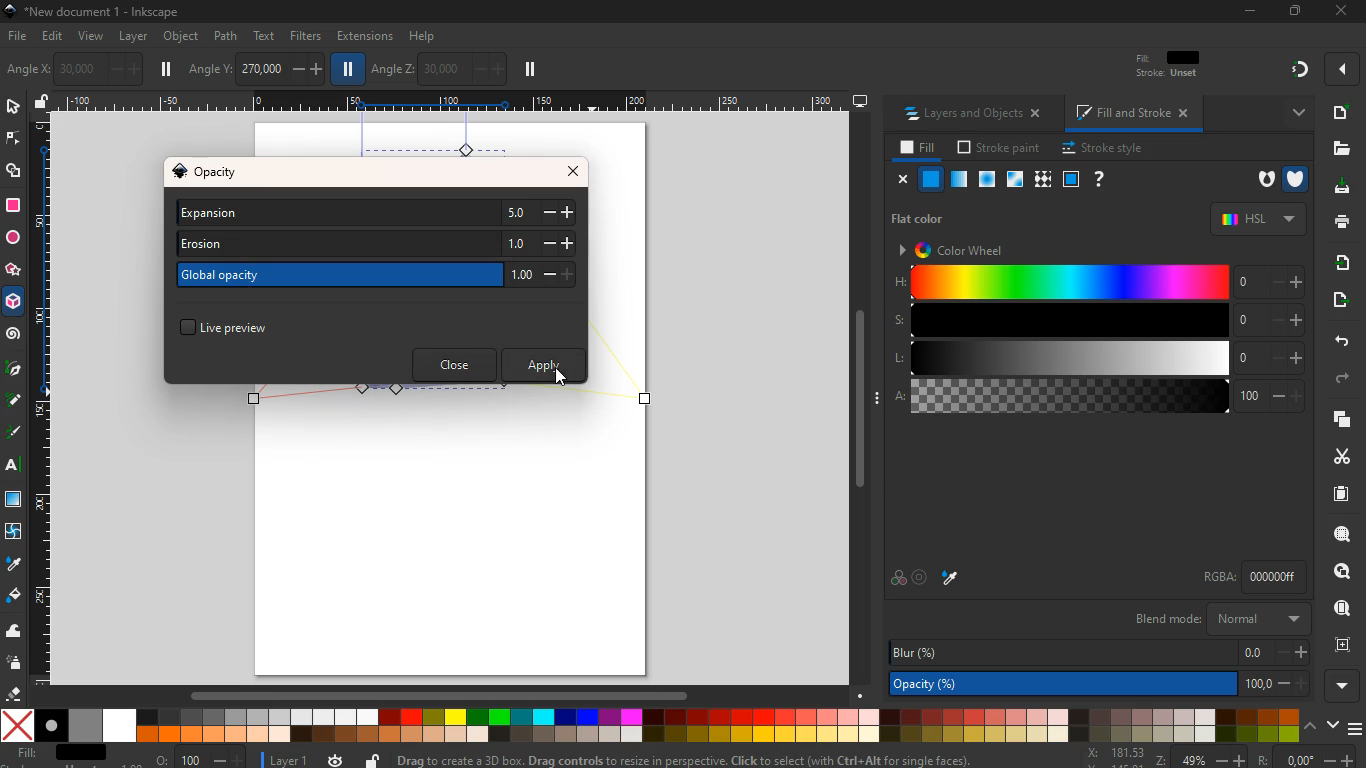 The width and height of the screenshot is (1366, 768). I want to click on screen, so click(16, 502).